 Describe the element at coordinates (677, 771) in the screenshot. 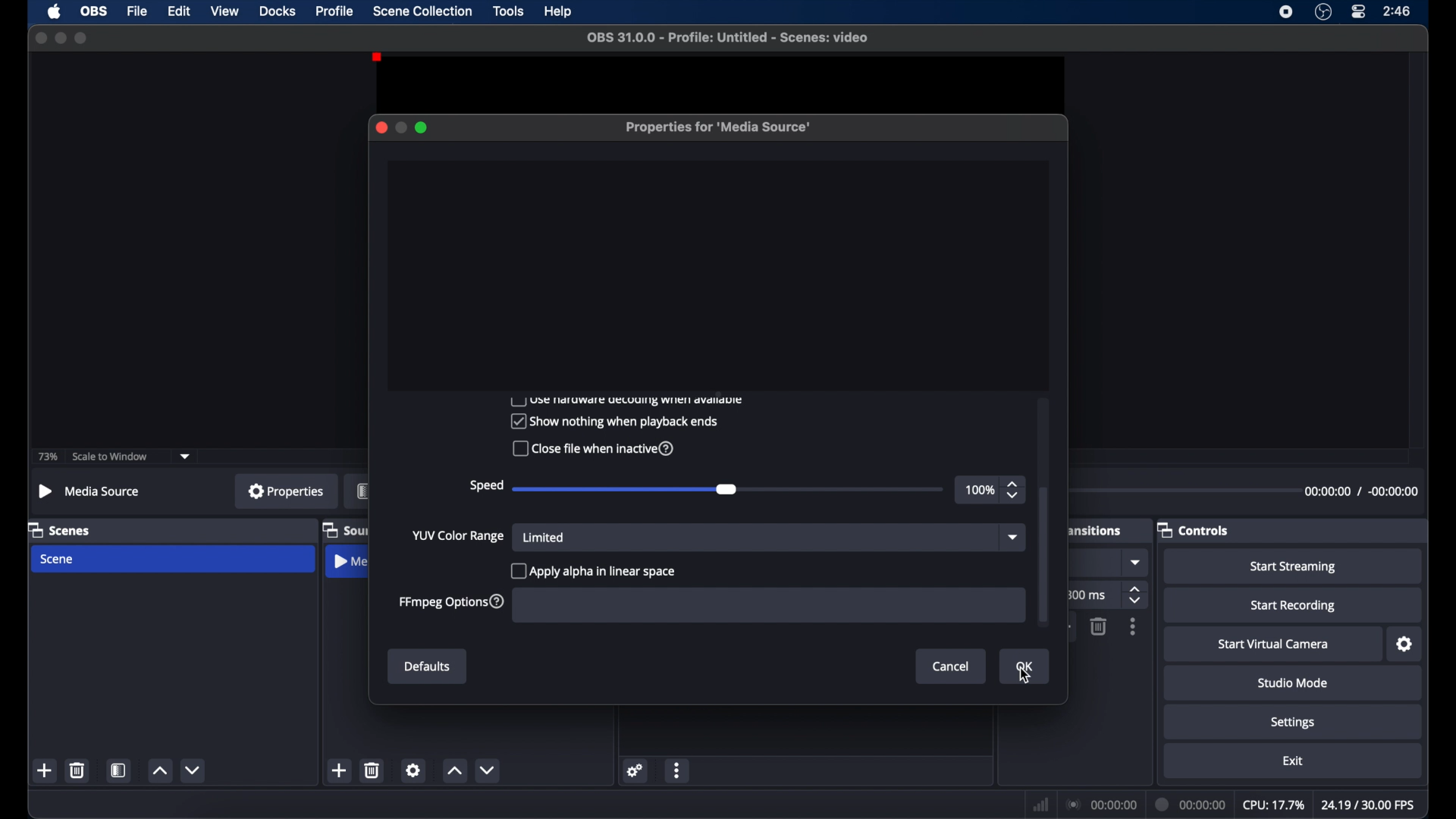

I see `moreoptions` at that location.